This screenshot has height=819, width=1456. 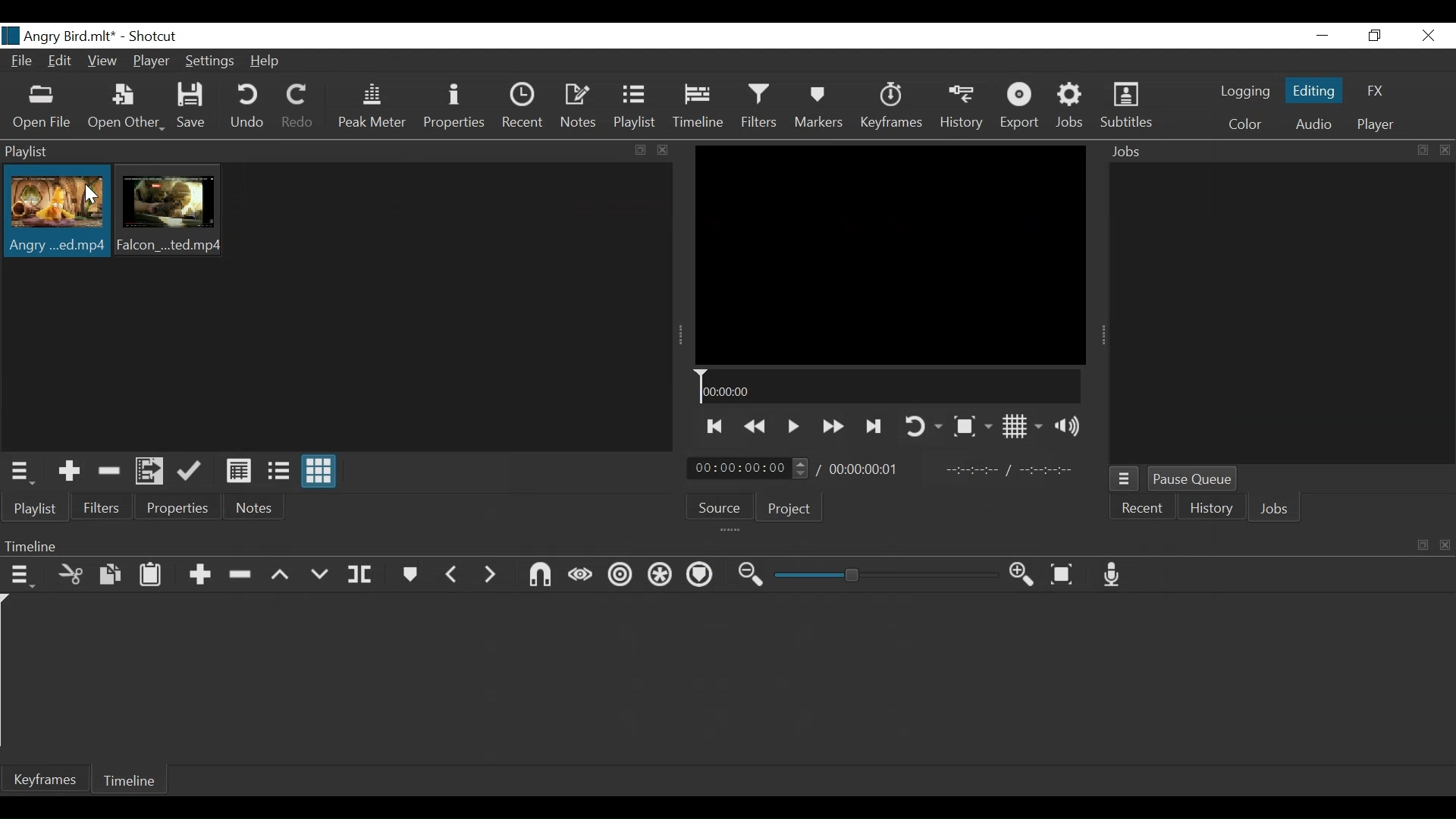 I want to click on Export, so click(x=1021, y=108).